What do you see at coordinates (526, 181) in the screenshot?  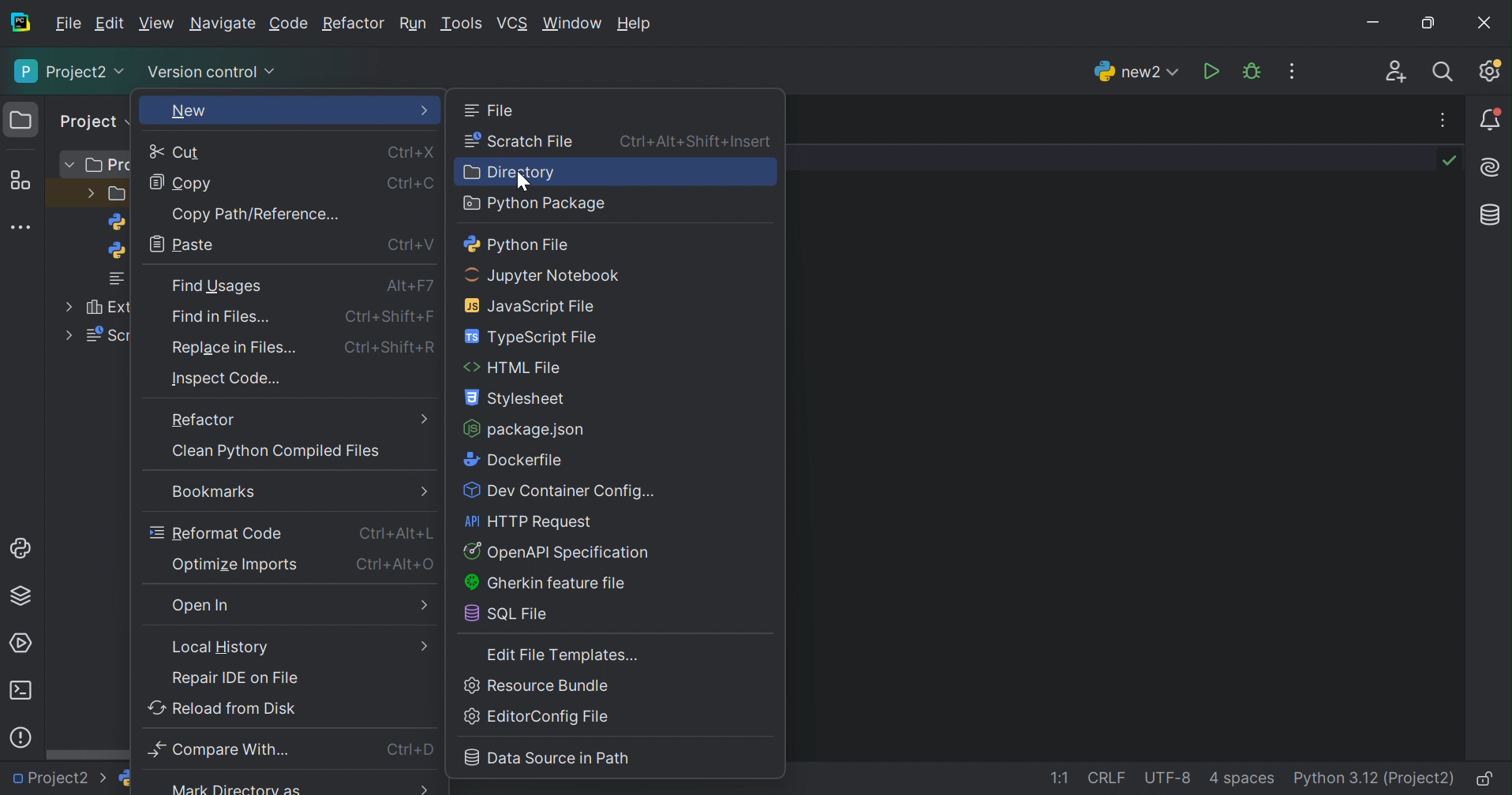 I see `Cursor` at bounding box center [526, 181].